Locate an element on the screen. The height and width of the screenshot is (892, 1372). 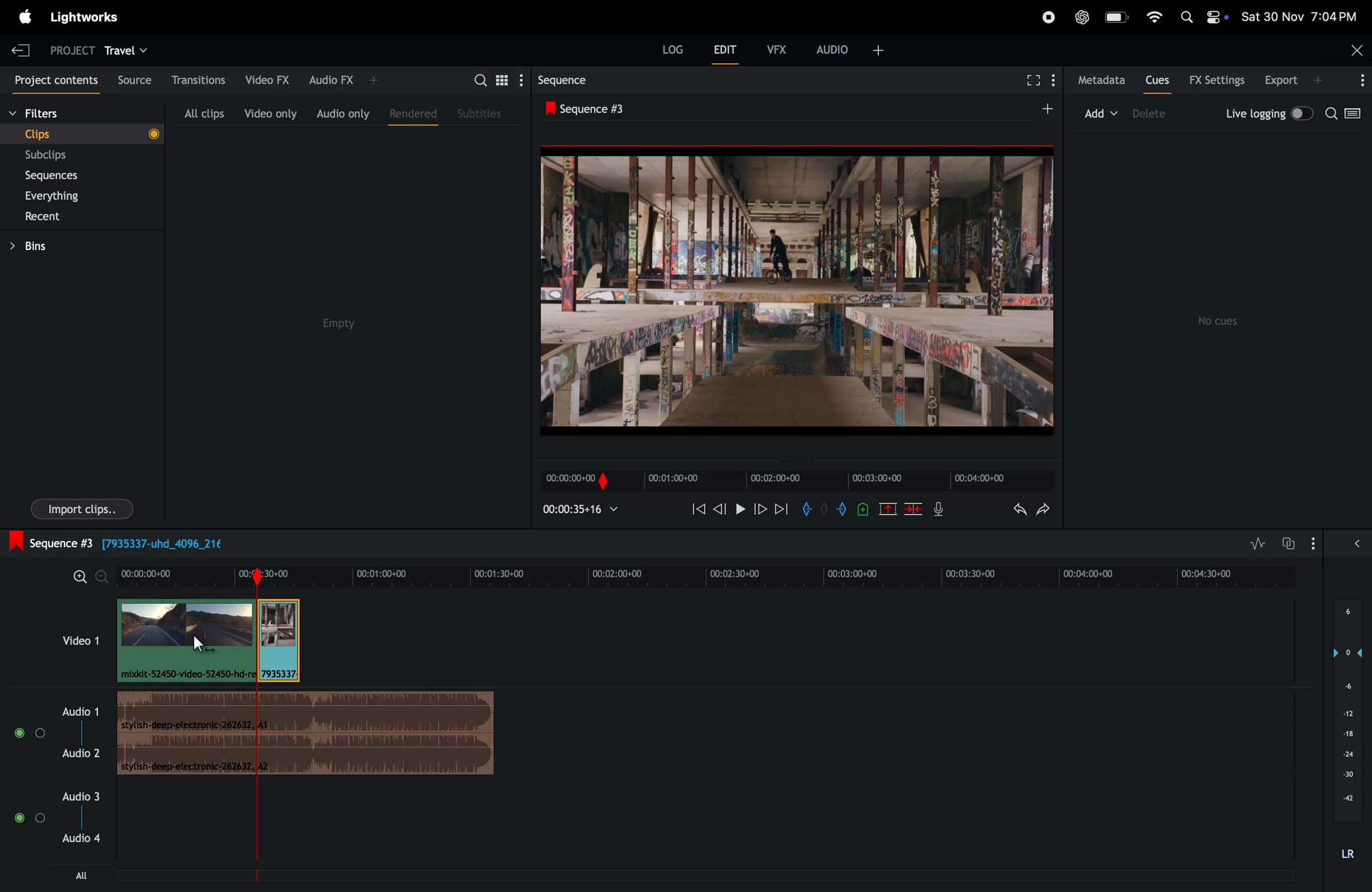
time frame is located at coordinates (710, 575).